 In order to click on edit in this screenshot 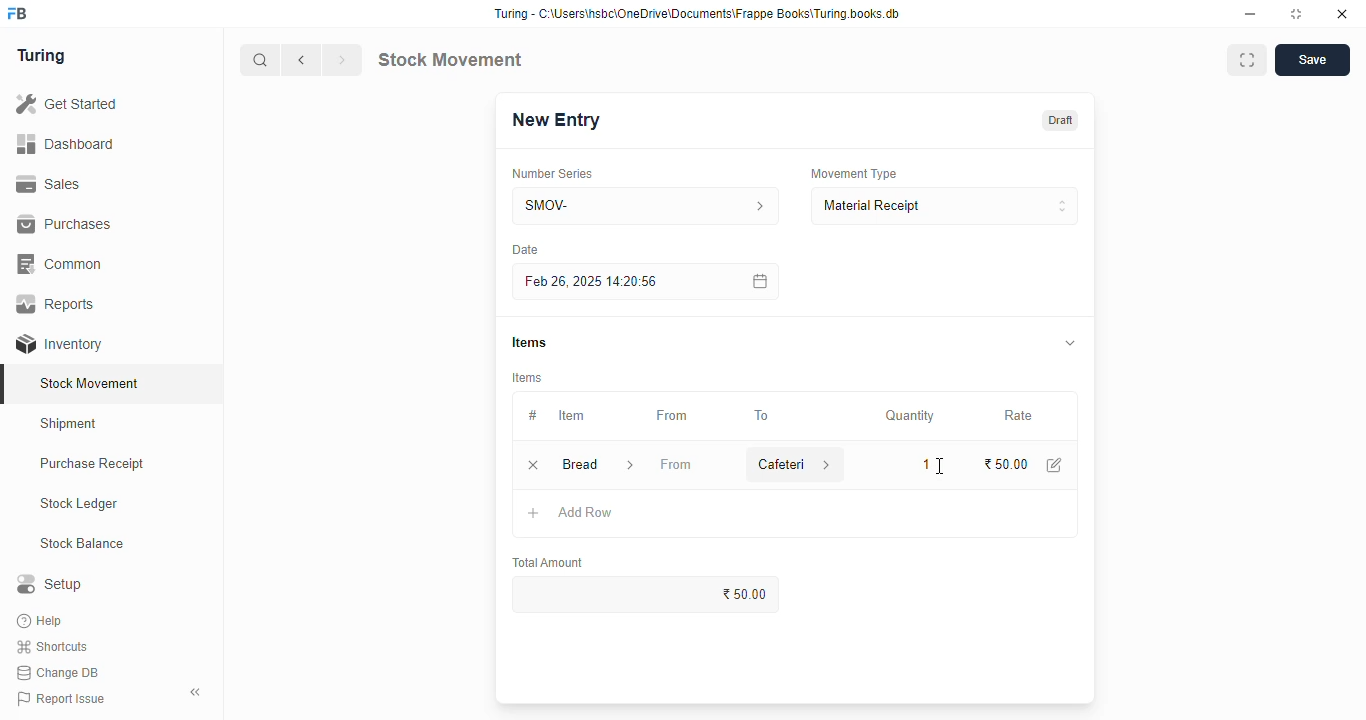, I will do `click(1055, 465)`.